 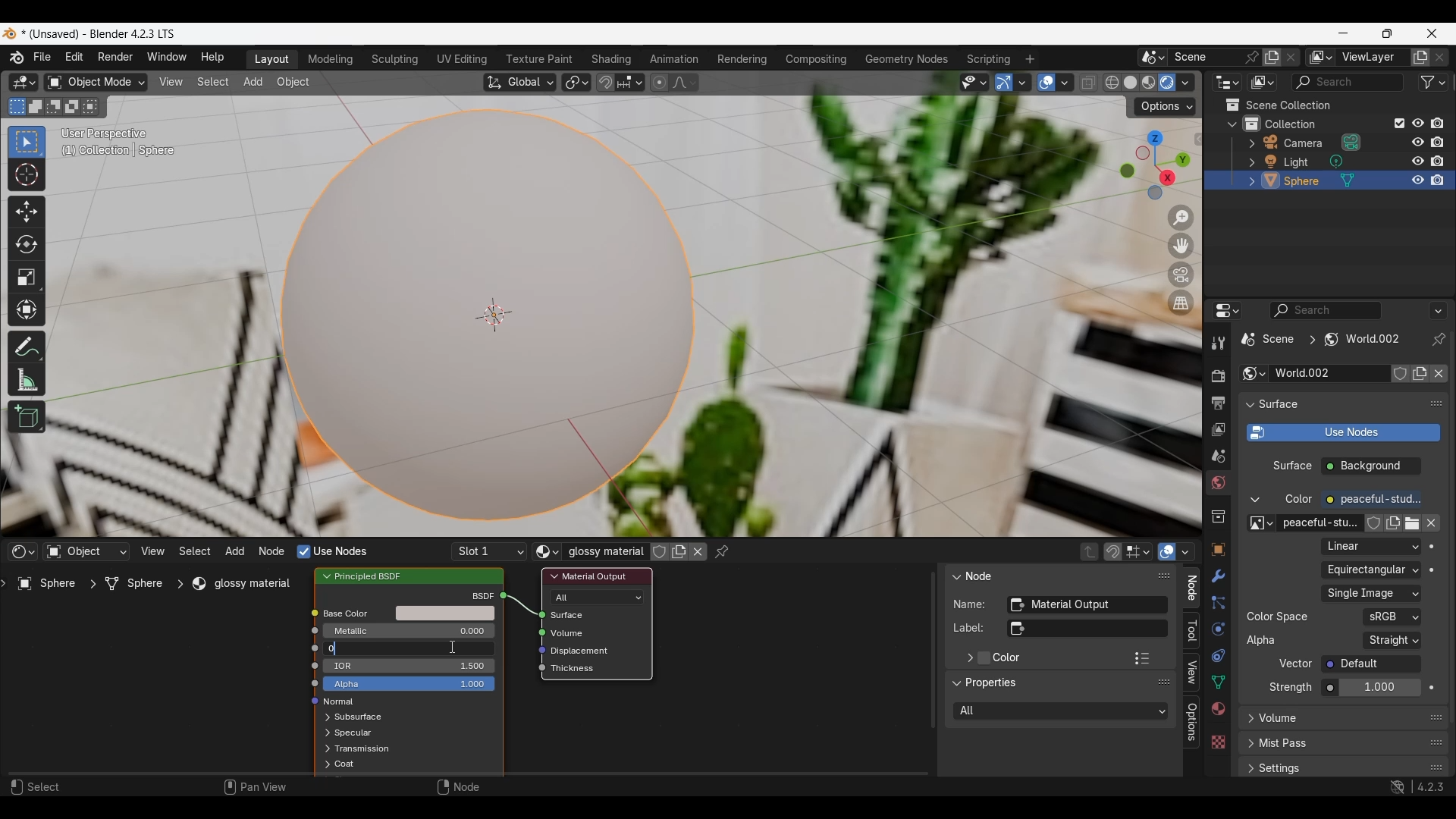 What do you see at coordinates (1192, 722) in the screenshot?
I see `Options panel` at bounding box center [1192, 722].